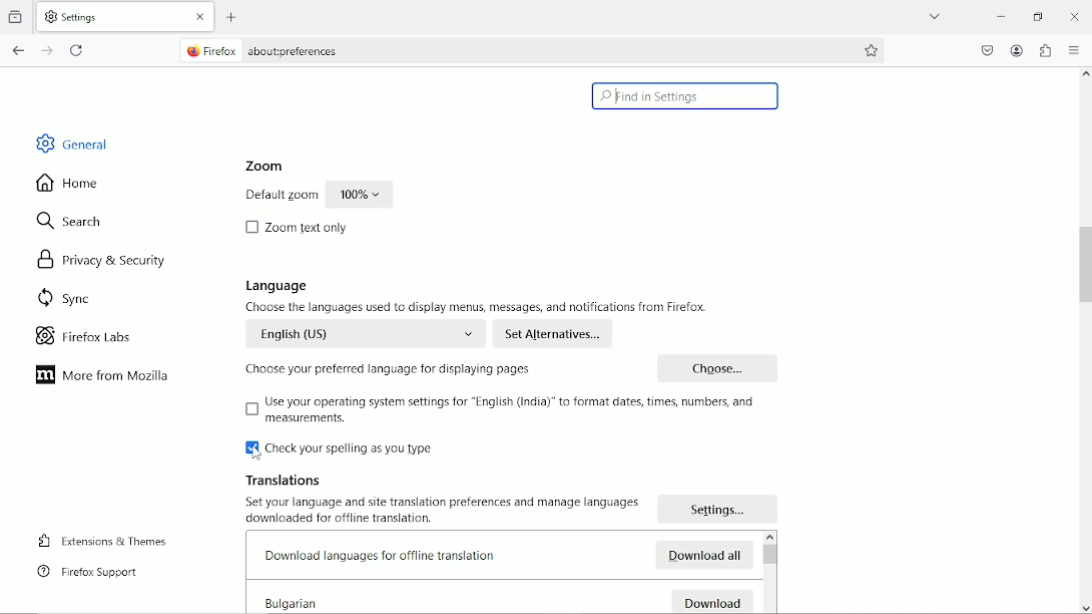 This screenshot has width=1092, height=614. I want to click on Downlod languages for offline translation., so click(378, 558).